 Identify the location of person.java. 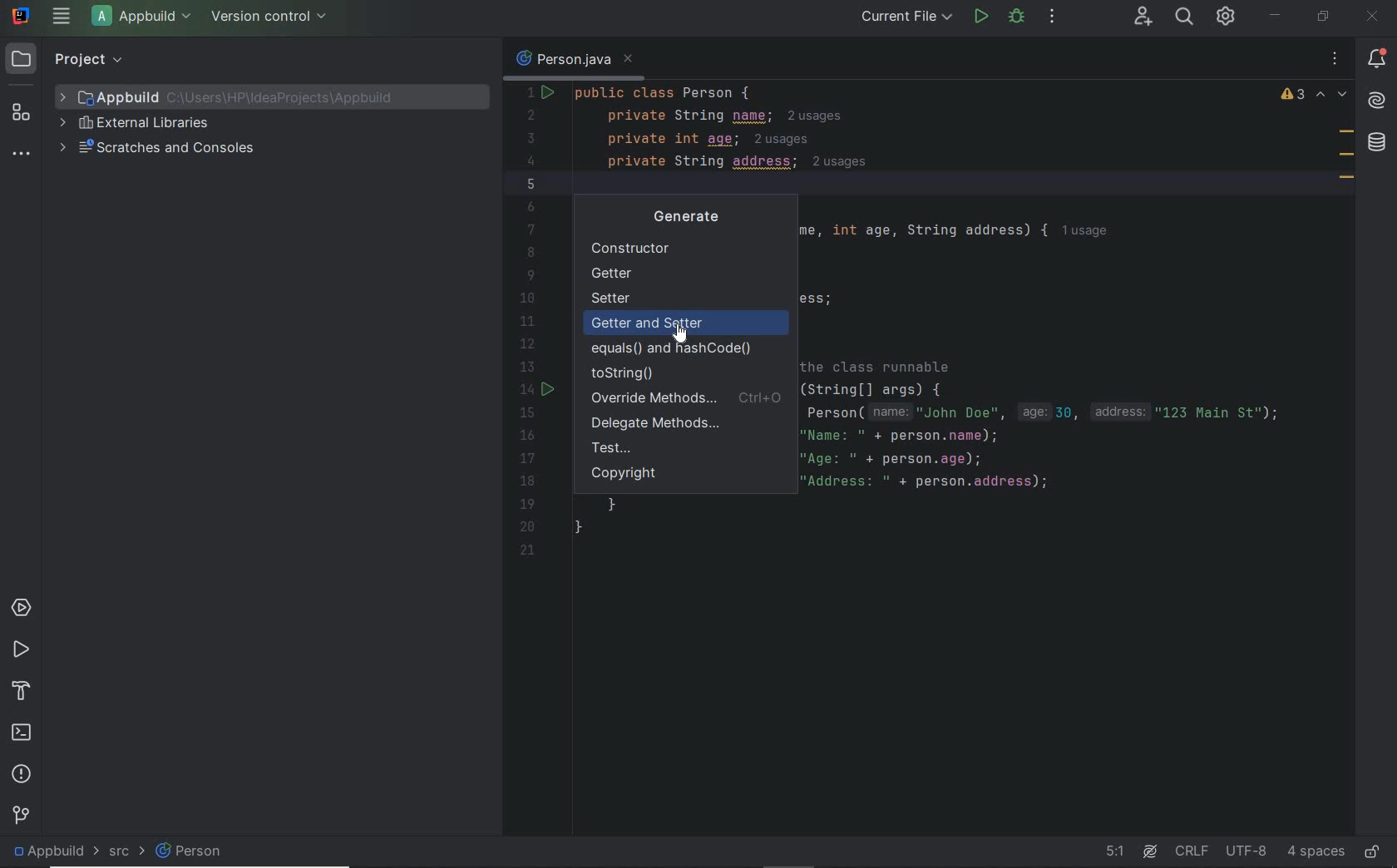
(573, 60).